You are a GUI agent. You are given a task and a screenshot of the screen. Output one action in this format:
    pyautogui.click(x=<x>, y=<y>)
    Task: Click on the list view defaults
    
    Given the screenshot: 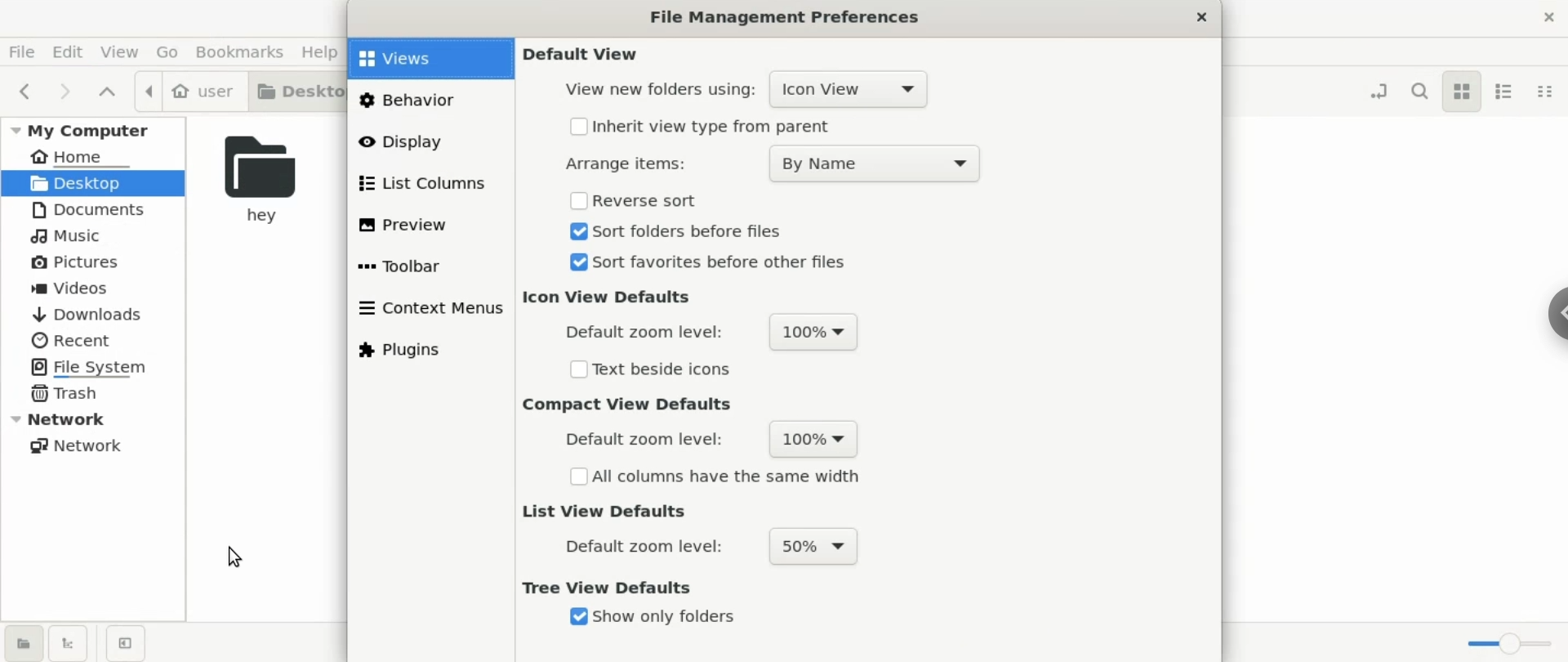 What is the action you would take?
    pyautogui.click(x=611, y=513)
    